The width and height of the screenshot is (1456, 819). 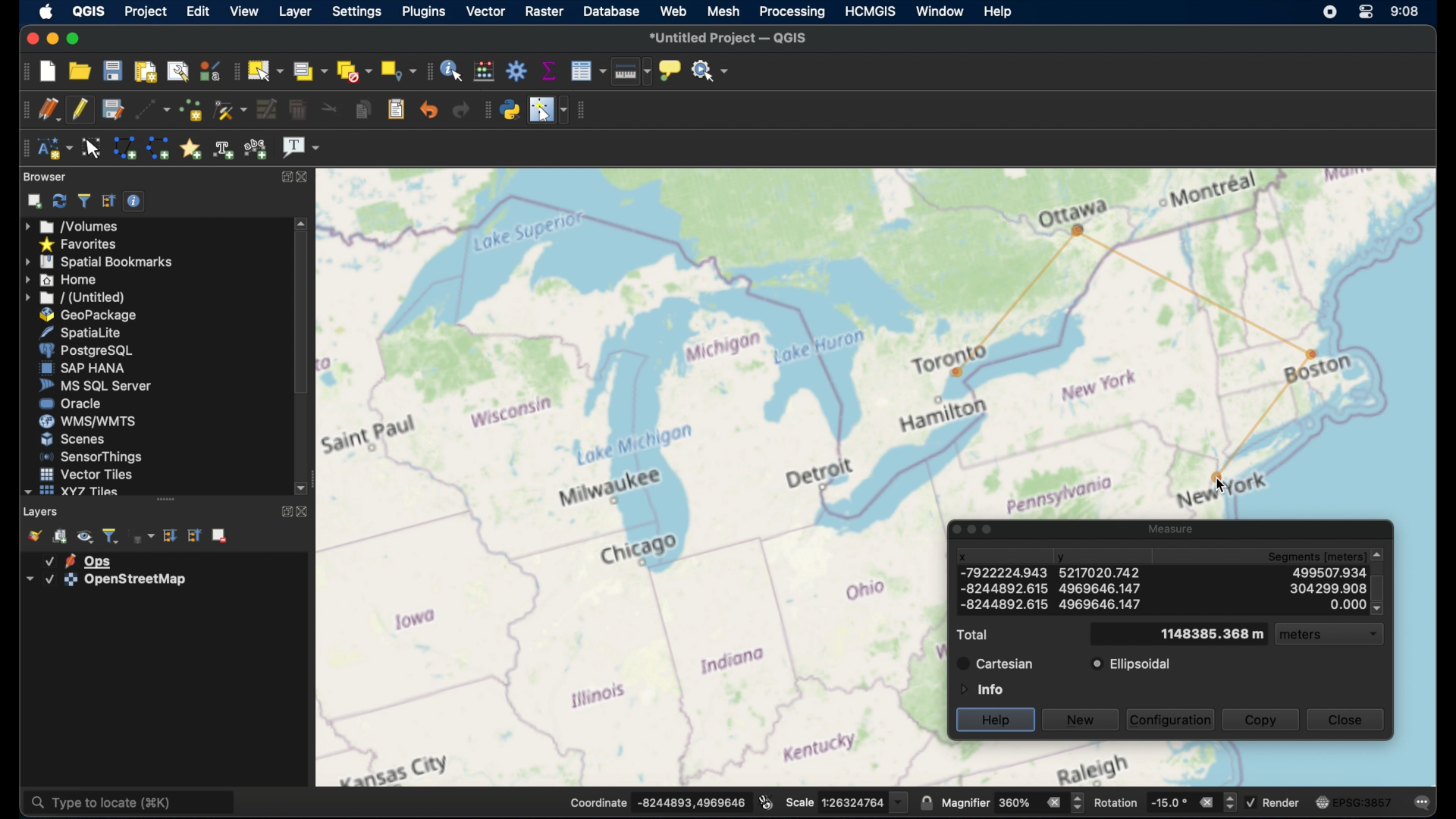 What do you see at coordinates (996, 11) in the screenshot?
I see `help` at bounding box center [996, 11].